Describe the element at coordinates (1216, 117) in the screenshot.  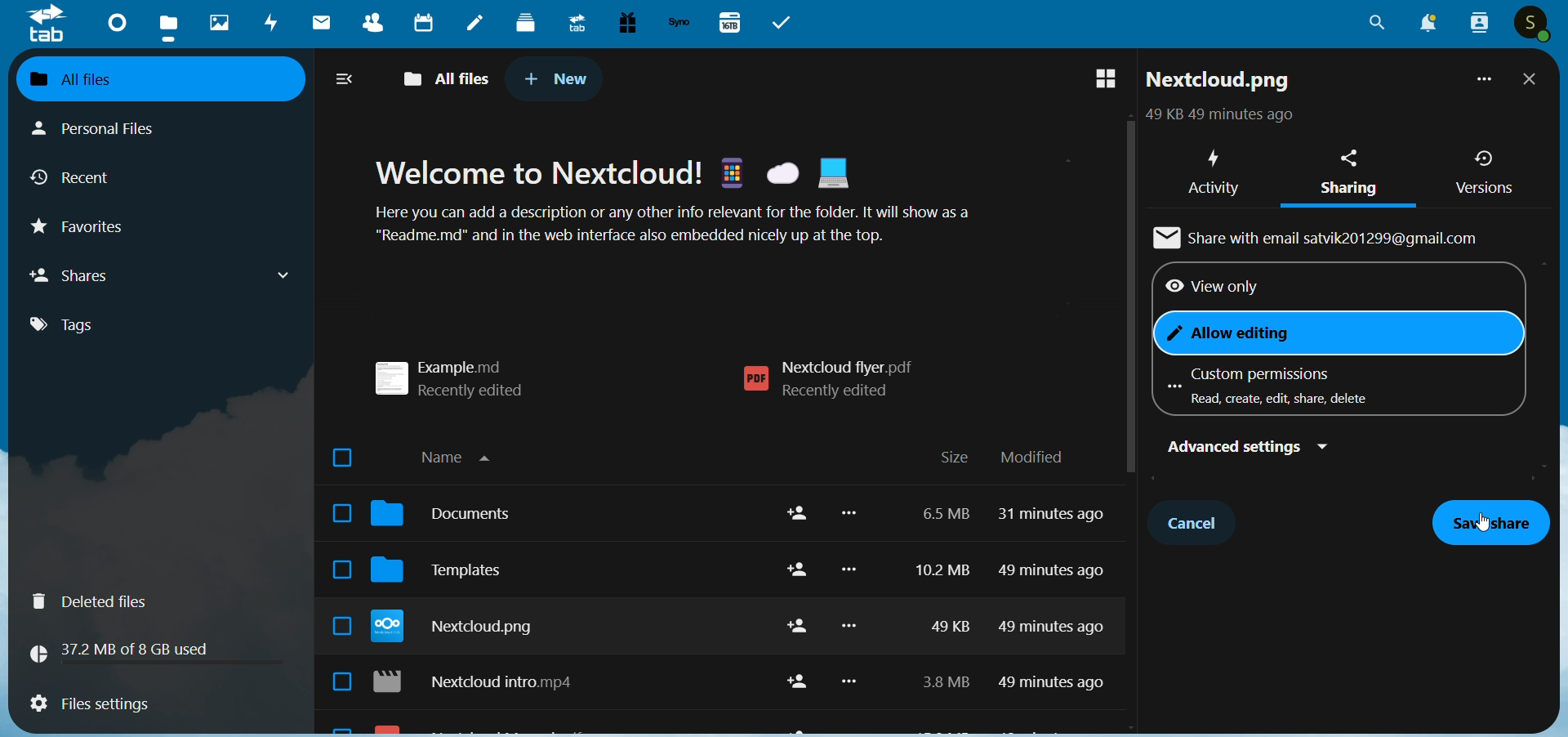
I see `status` at that location.